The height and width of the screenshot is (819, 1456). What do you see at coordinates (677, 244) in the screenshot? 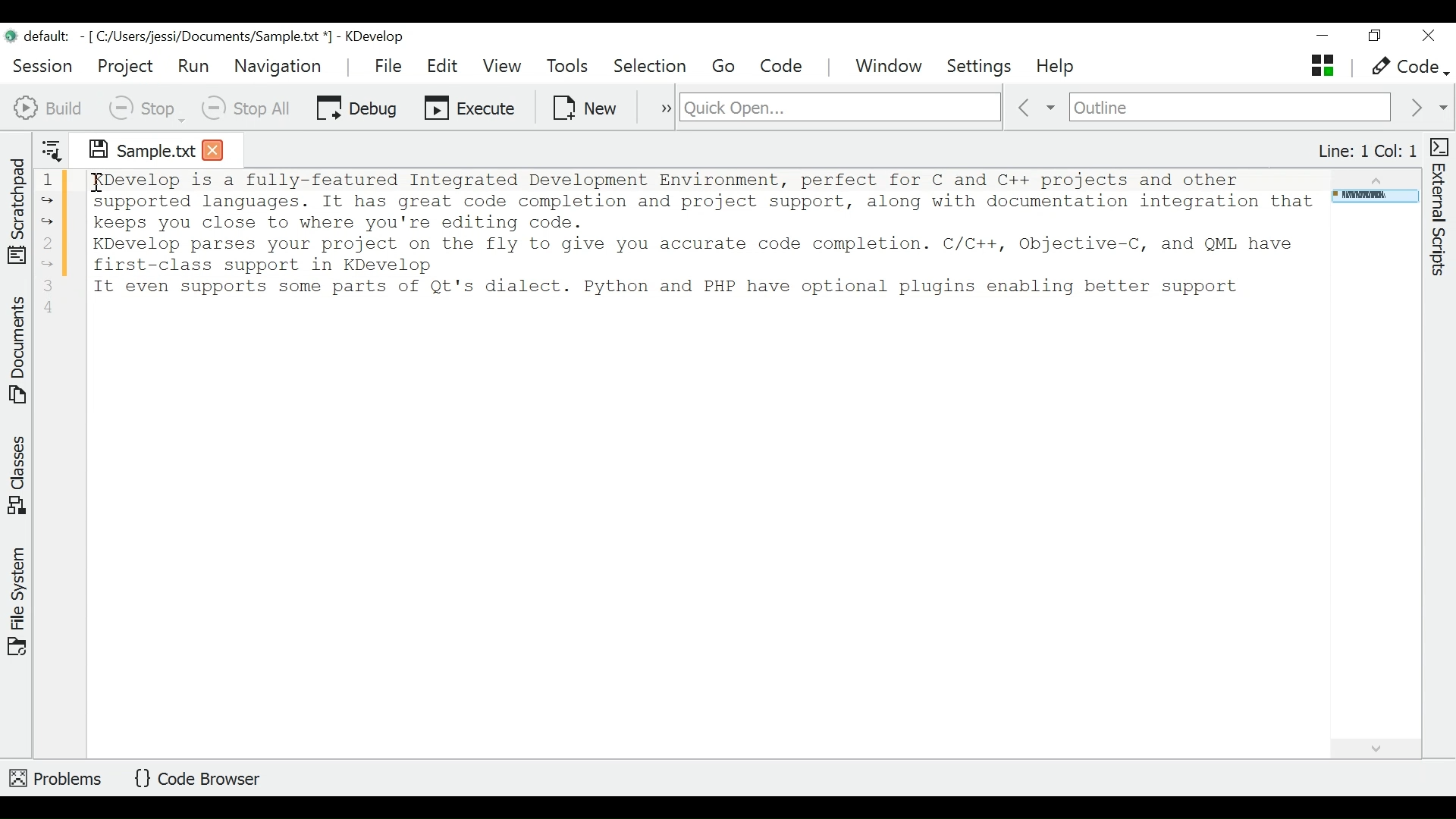
I see `1 KDevelop is a fully-featured Integrated Development Environment, perfect for C and C++ projects and other supported languages. It has great code completion and project support, along with documentation integration that keeps you close to where you're editing code. 2 KDevelop parses your project on the fly to give you accurate code completion. C/C++, Objective-C, and QML have first-class support in KDevelop. 3 It even supports some parts of Qt's dialect. Python and PHP have optional plugins enabling better support.` at bounding box center [677, 244].